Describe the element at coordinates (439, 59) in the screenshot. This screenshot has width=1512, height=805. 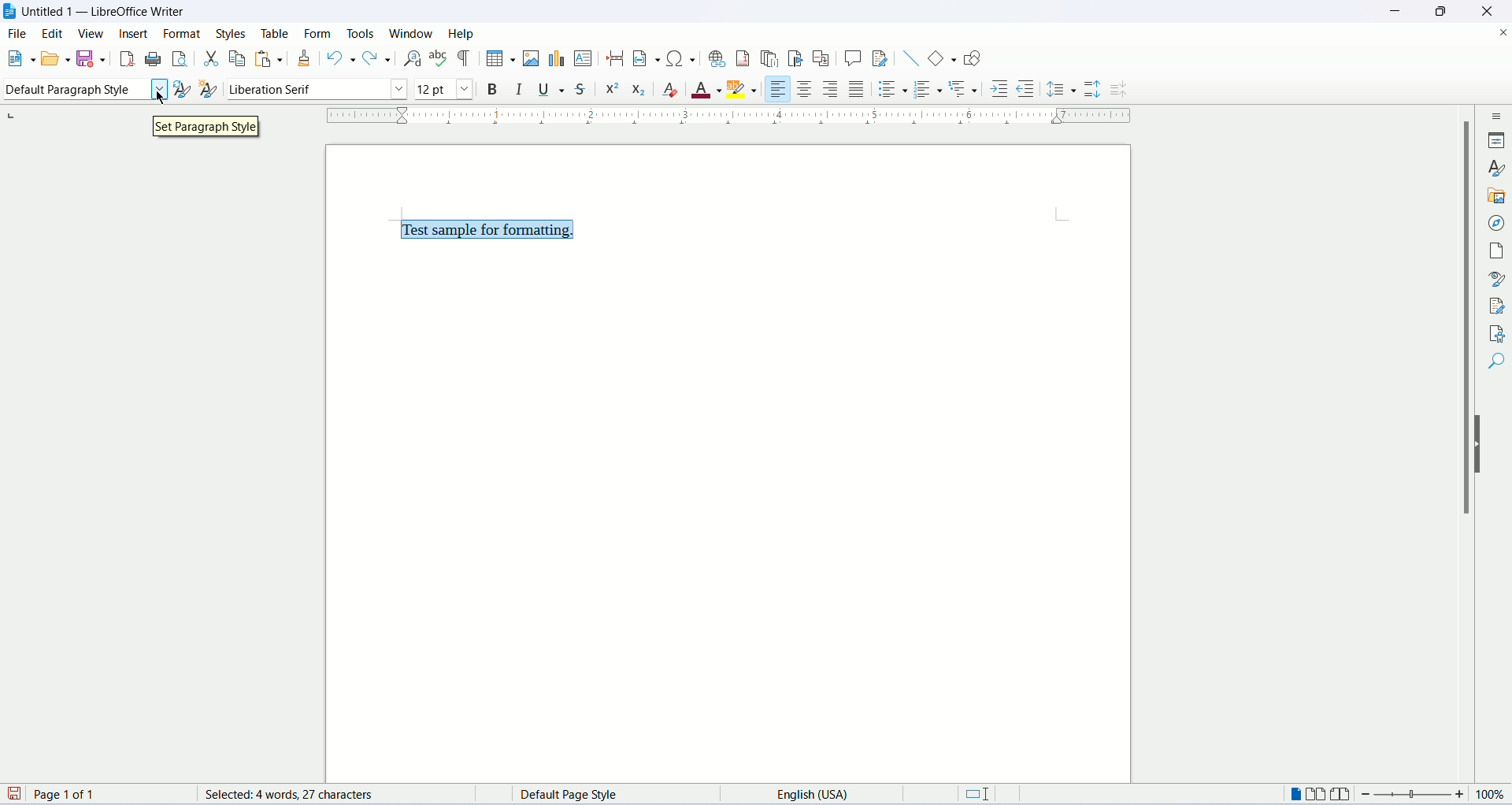
I see `spelling` at that location.